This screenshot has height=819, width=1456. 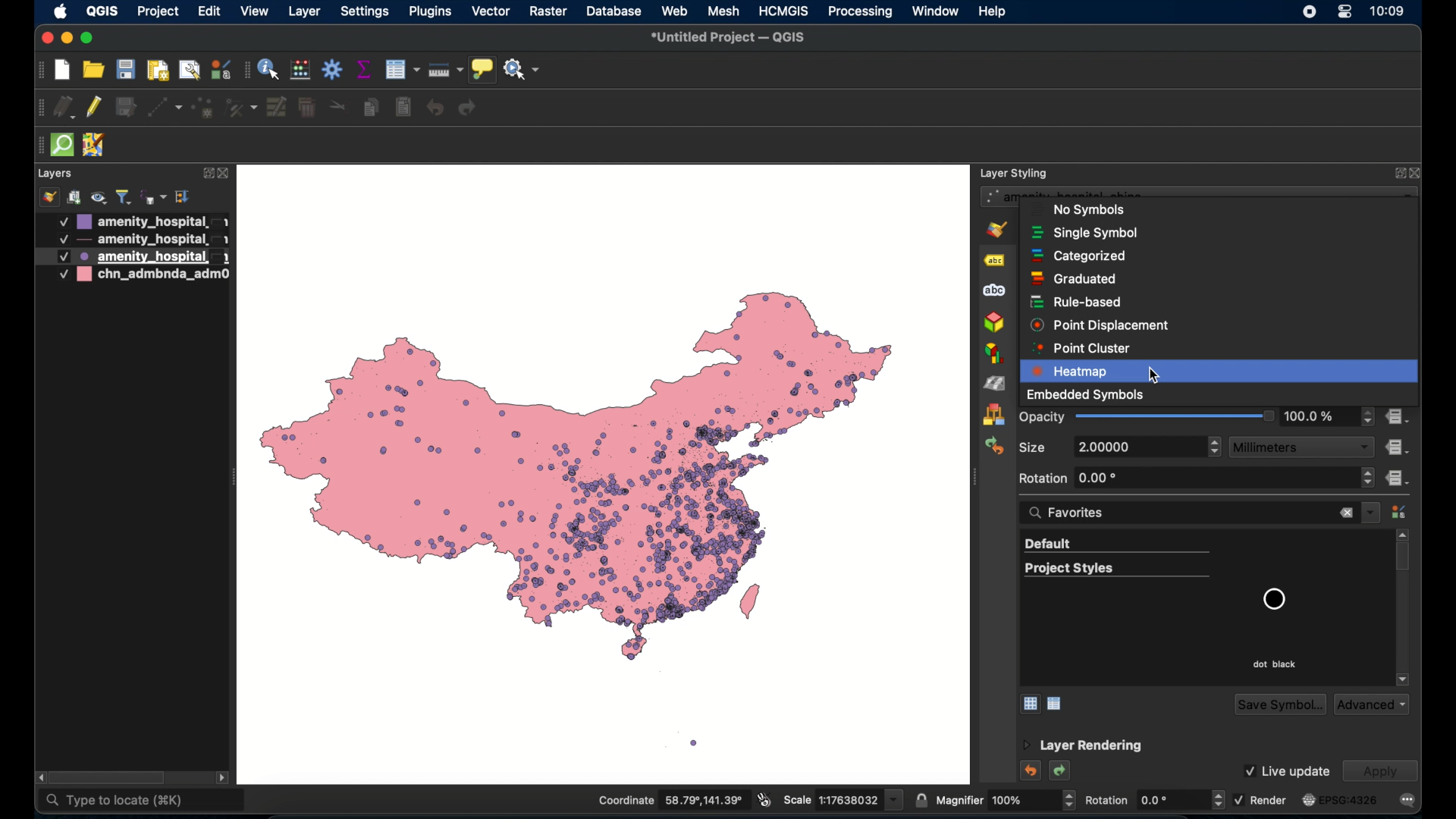 I want to click on time, so click(x=1389, y=13).